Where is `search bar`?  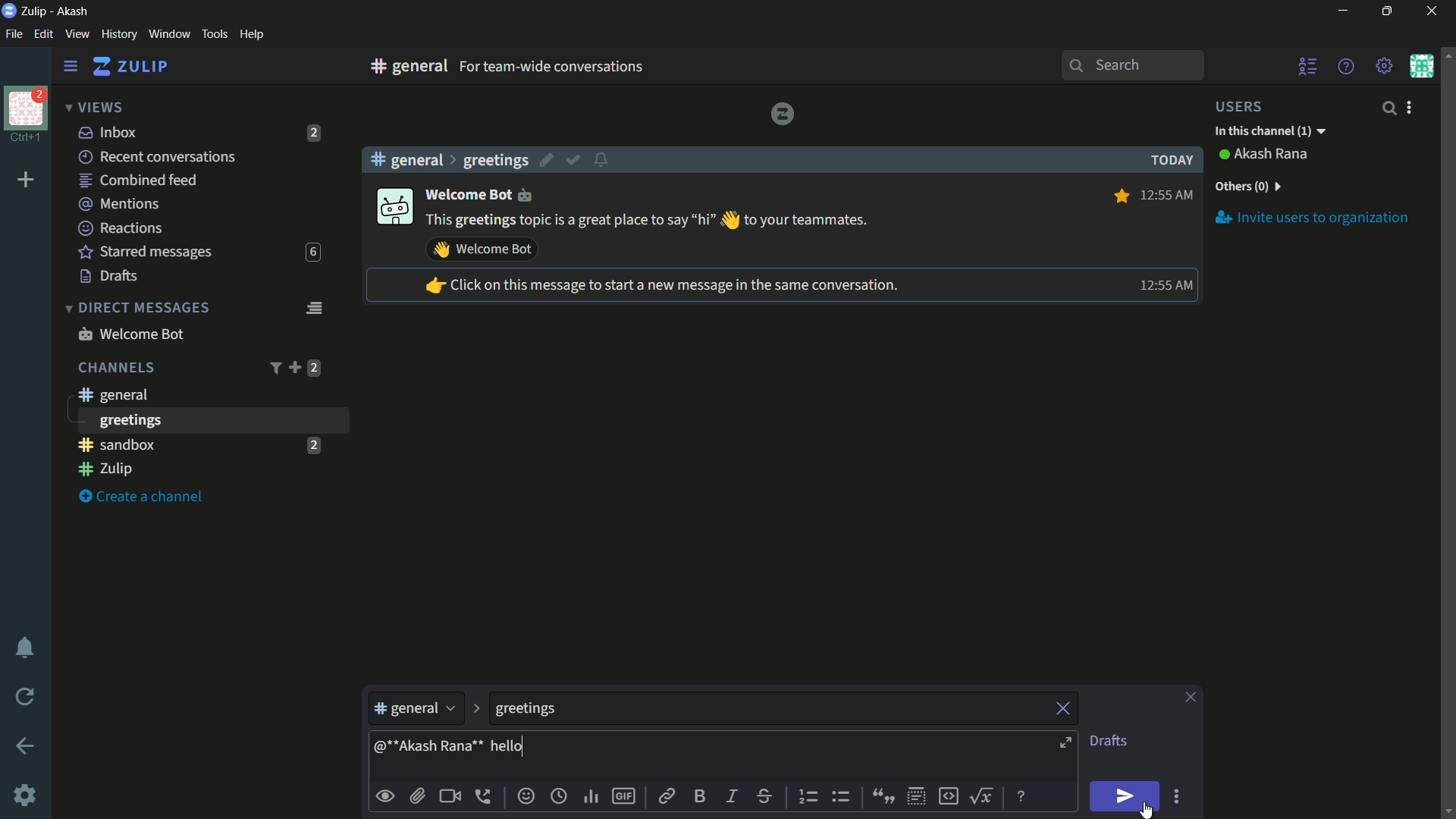 search bar is located at coordinates (1132, 65).